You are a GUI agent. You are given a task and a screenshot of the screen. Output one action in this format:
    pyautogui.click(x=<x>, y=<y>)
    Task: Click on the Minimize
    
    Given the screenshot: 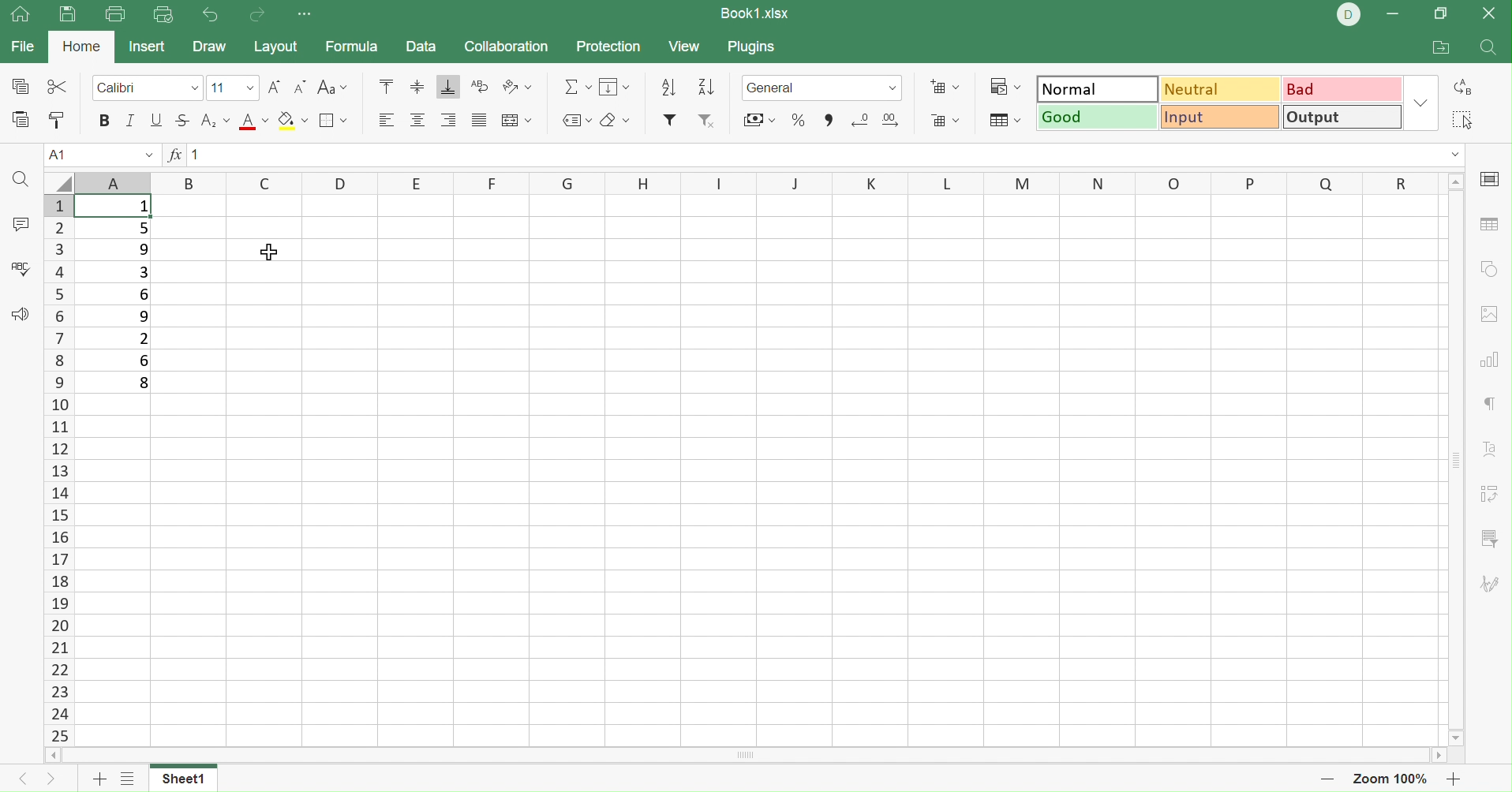 What is the action you would take?
    pyautogui.click(x=1393, y=13)
    